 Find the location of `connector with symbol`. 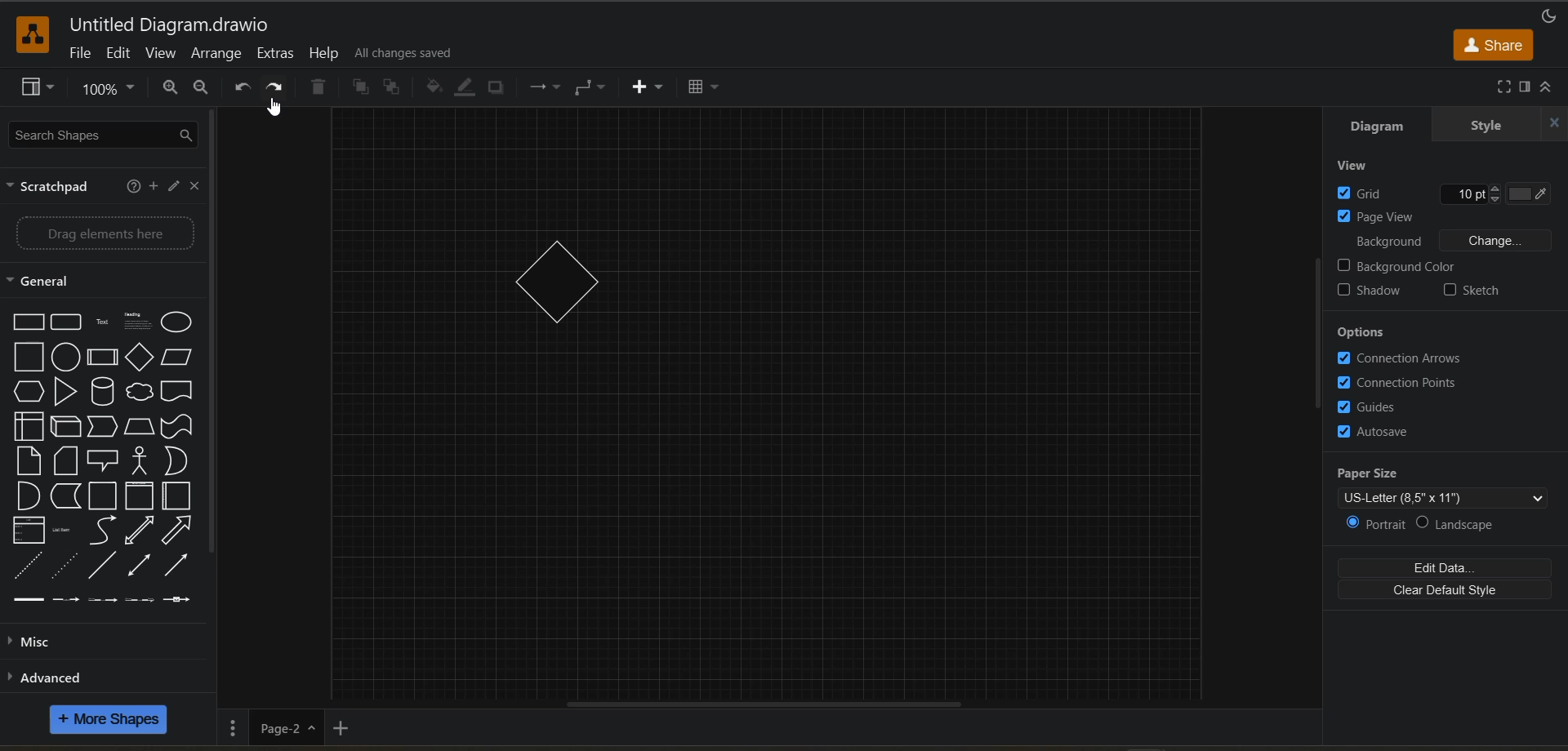

connector with symbol is located at coordinates (176, 601).